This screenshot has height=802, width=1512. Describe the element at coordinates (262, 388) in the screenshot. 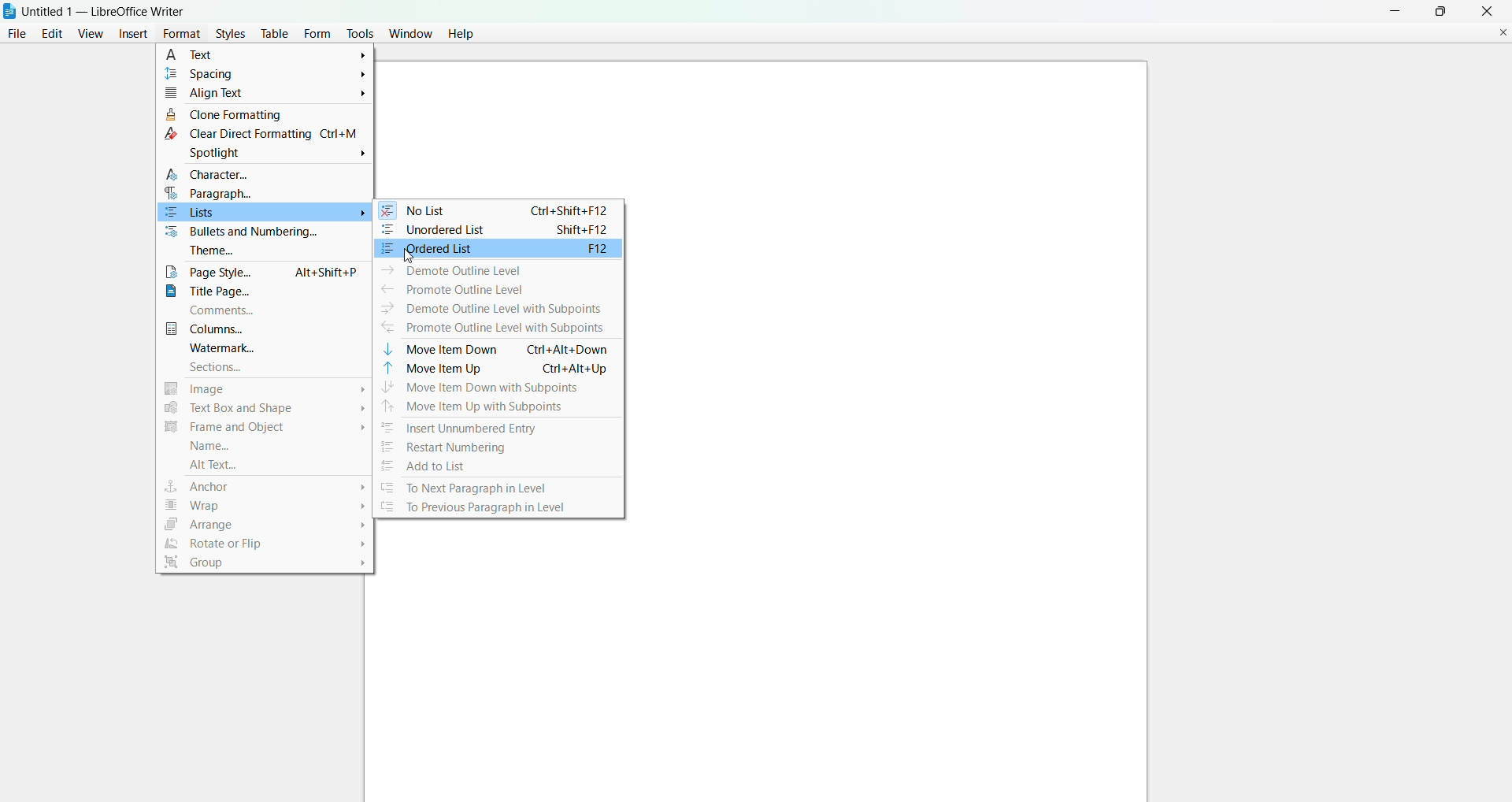

I see `image` at that location.